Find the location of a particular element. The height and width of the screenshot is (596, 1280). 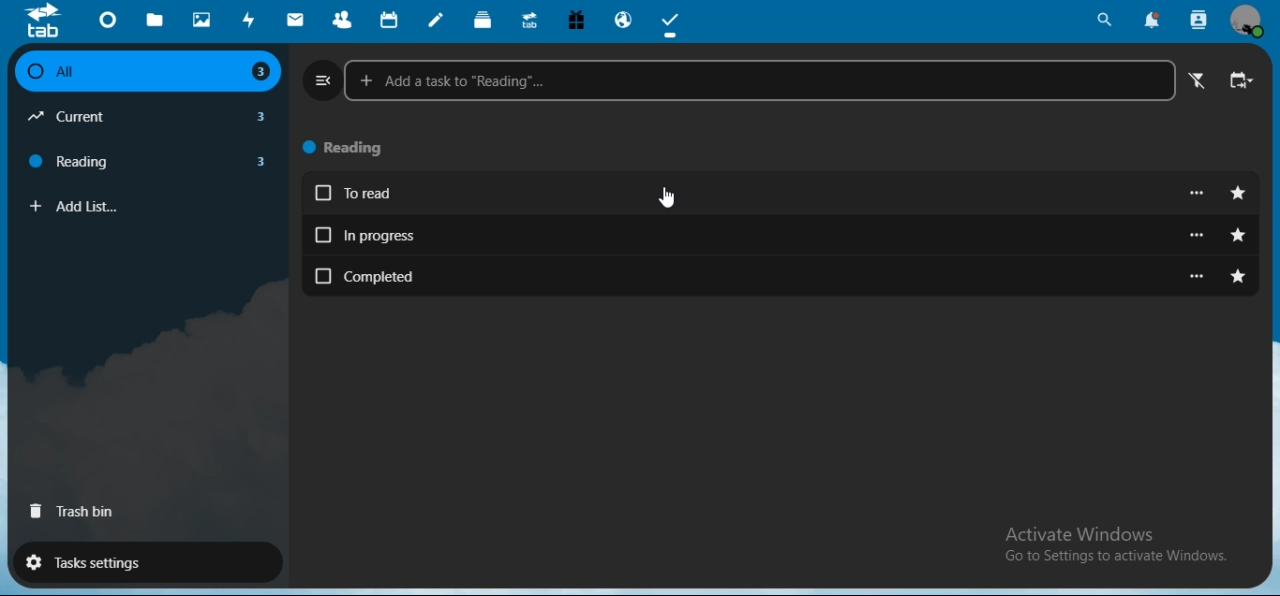

Checkbox is located at coordinates (32, 72).